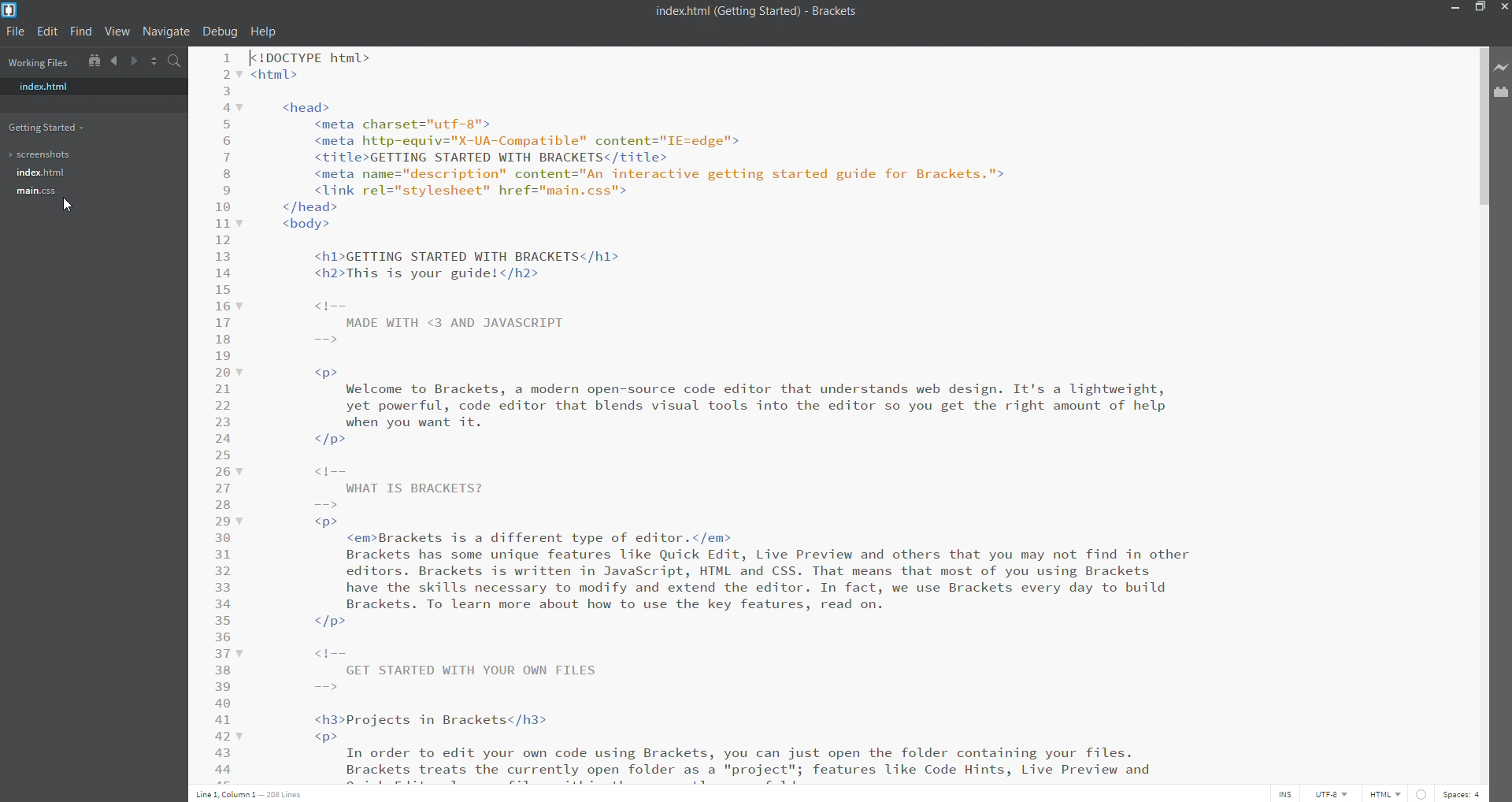  I want to click on search, so click(173, 63).